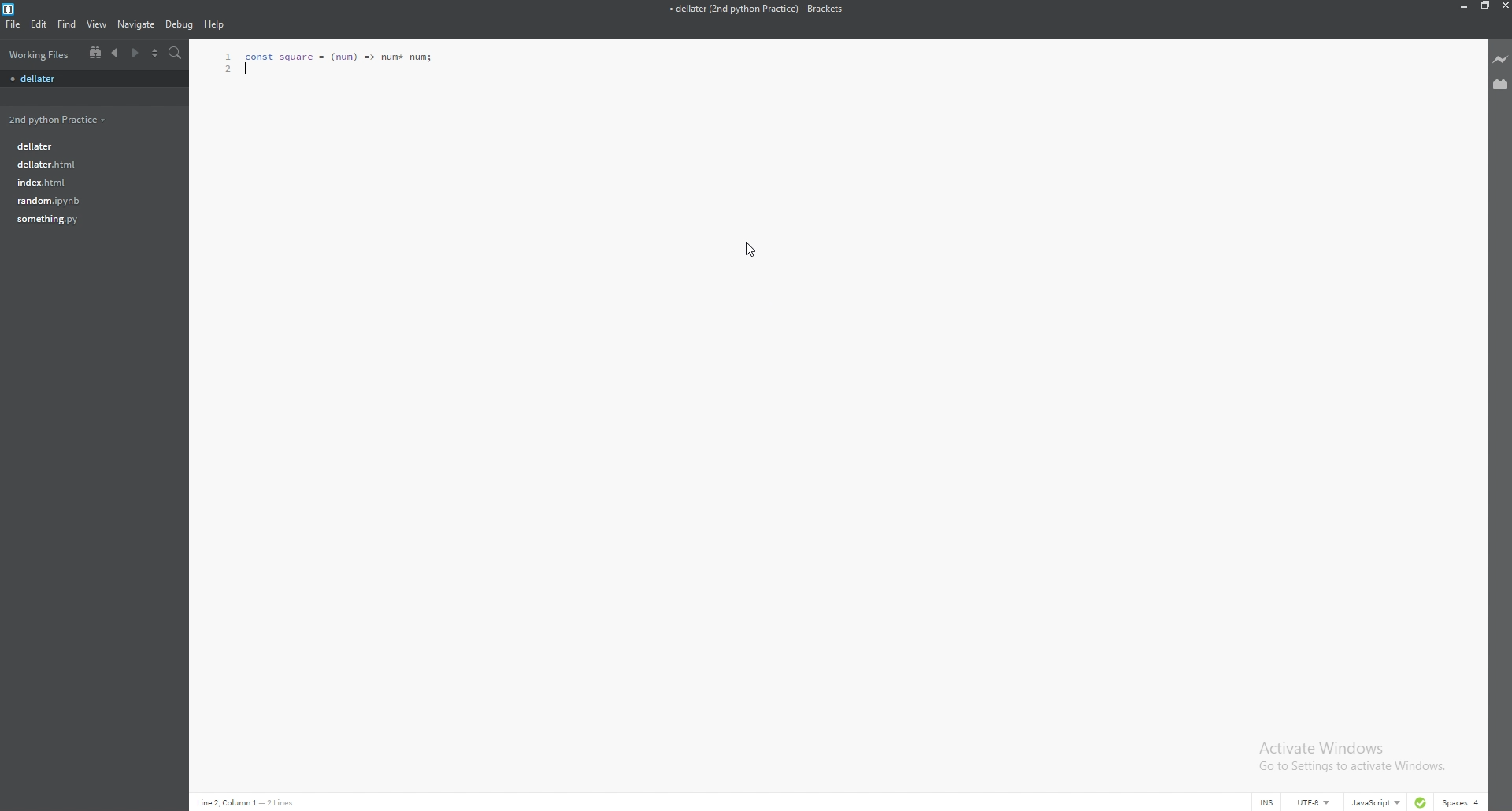 The width and height of the screenshot is (1512, 811). Describe the element at coordinates (115, 53) in the screenshot. I see `previous` at that location.